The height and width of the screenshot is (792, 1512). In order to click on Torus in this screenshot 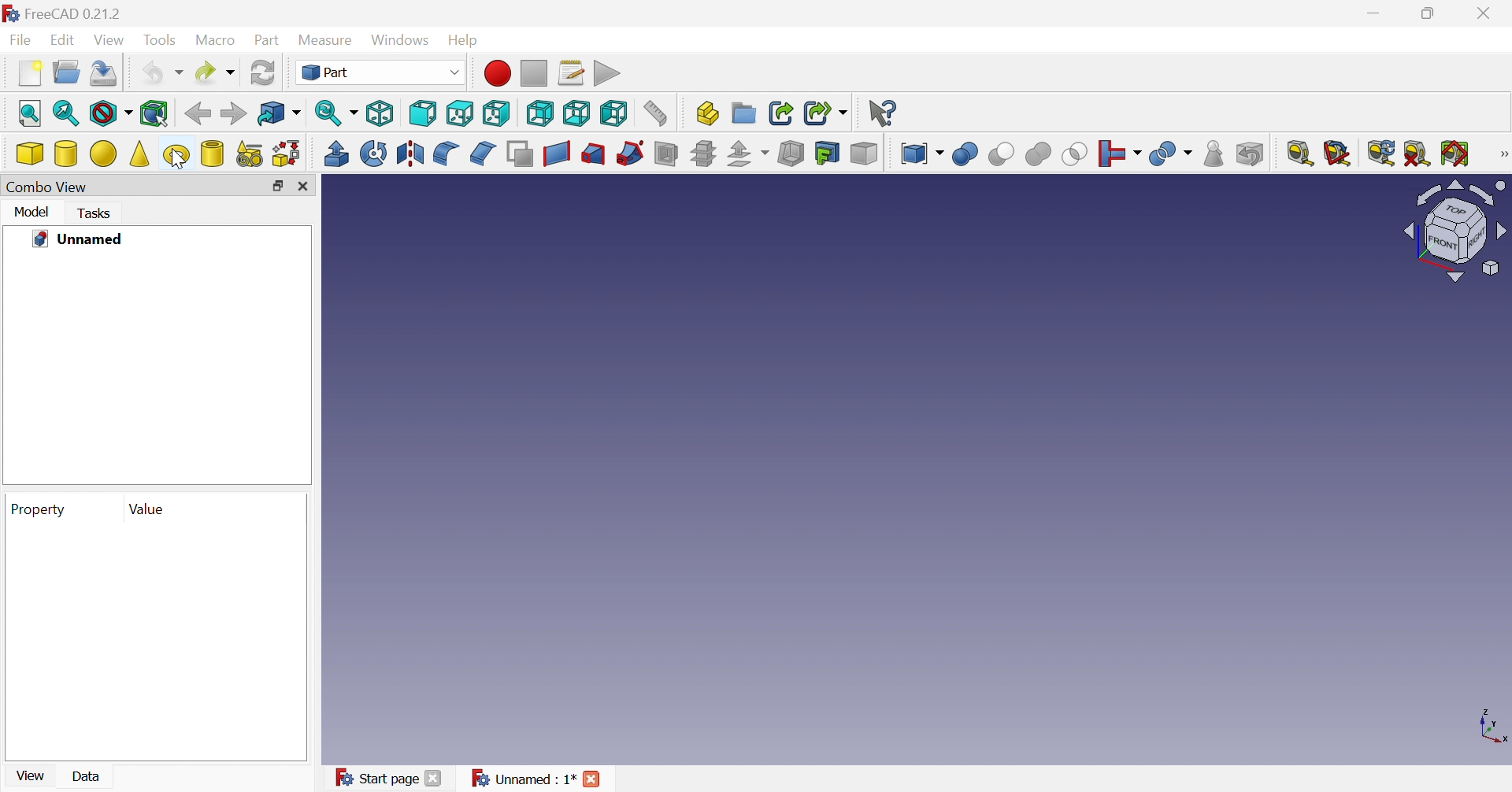, I will do `click(176, 157)`.